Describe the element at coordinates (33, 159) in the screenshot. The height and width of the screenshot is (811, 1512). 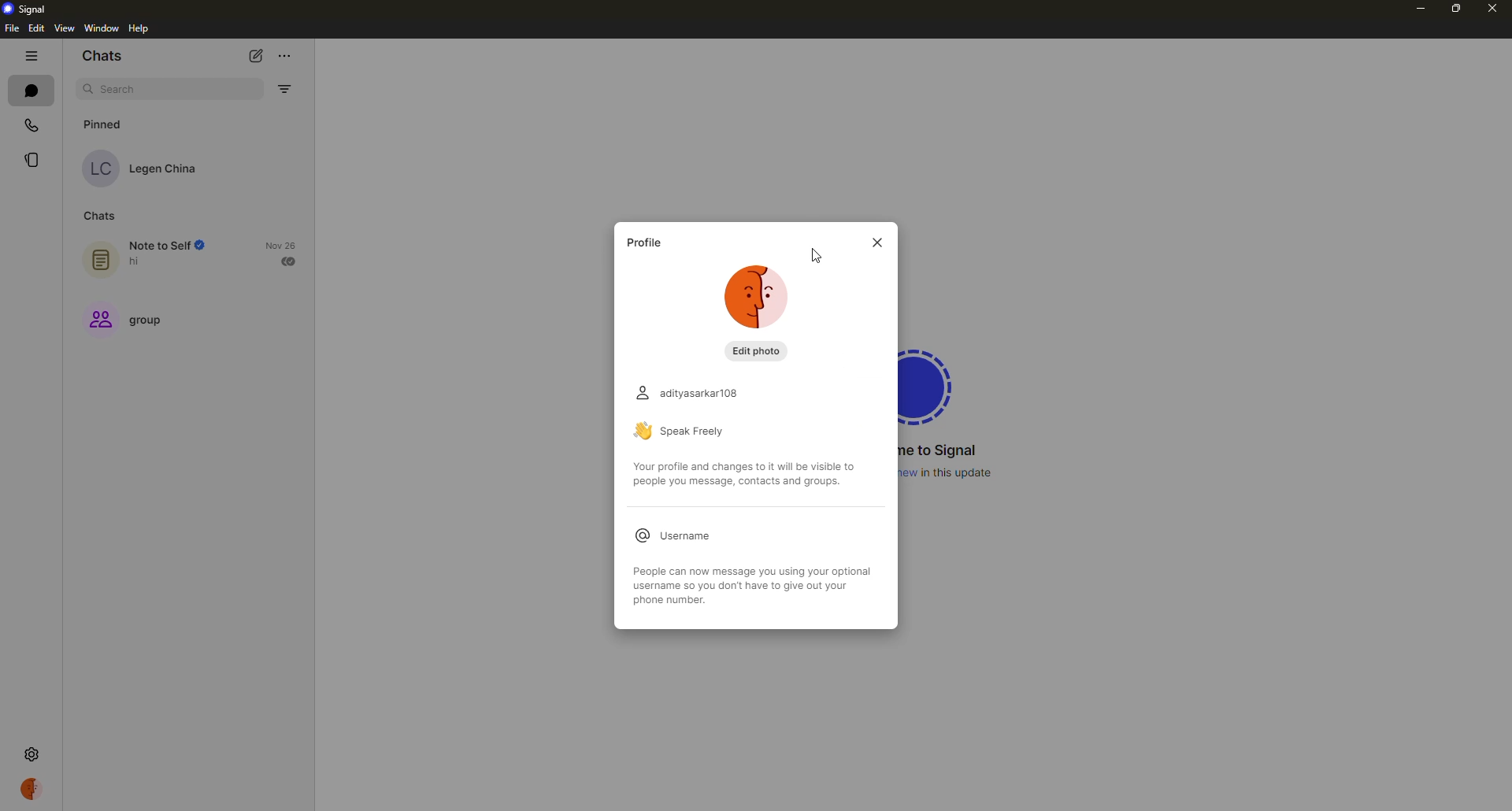
I see `stories` at that location.